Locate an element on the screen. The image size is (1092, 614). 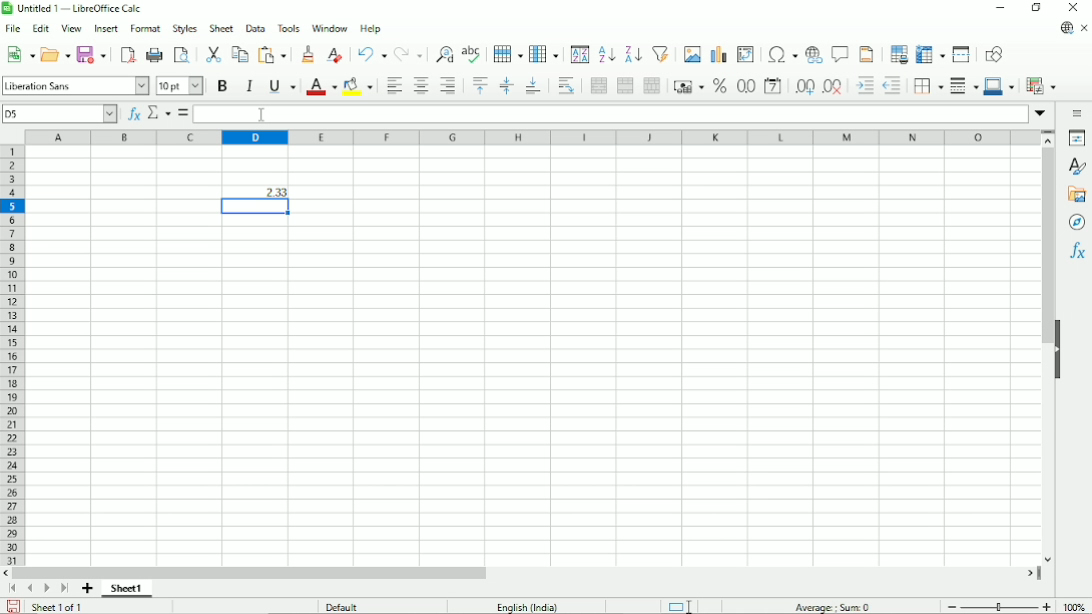
Font color is located at coordinates (180, 85).